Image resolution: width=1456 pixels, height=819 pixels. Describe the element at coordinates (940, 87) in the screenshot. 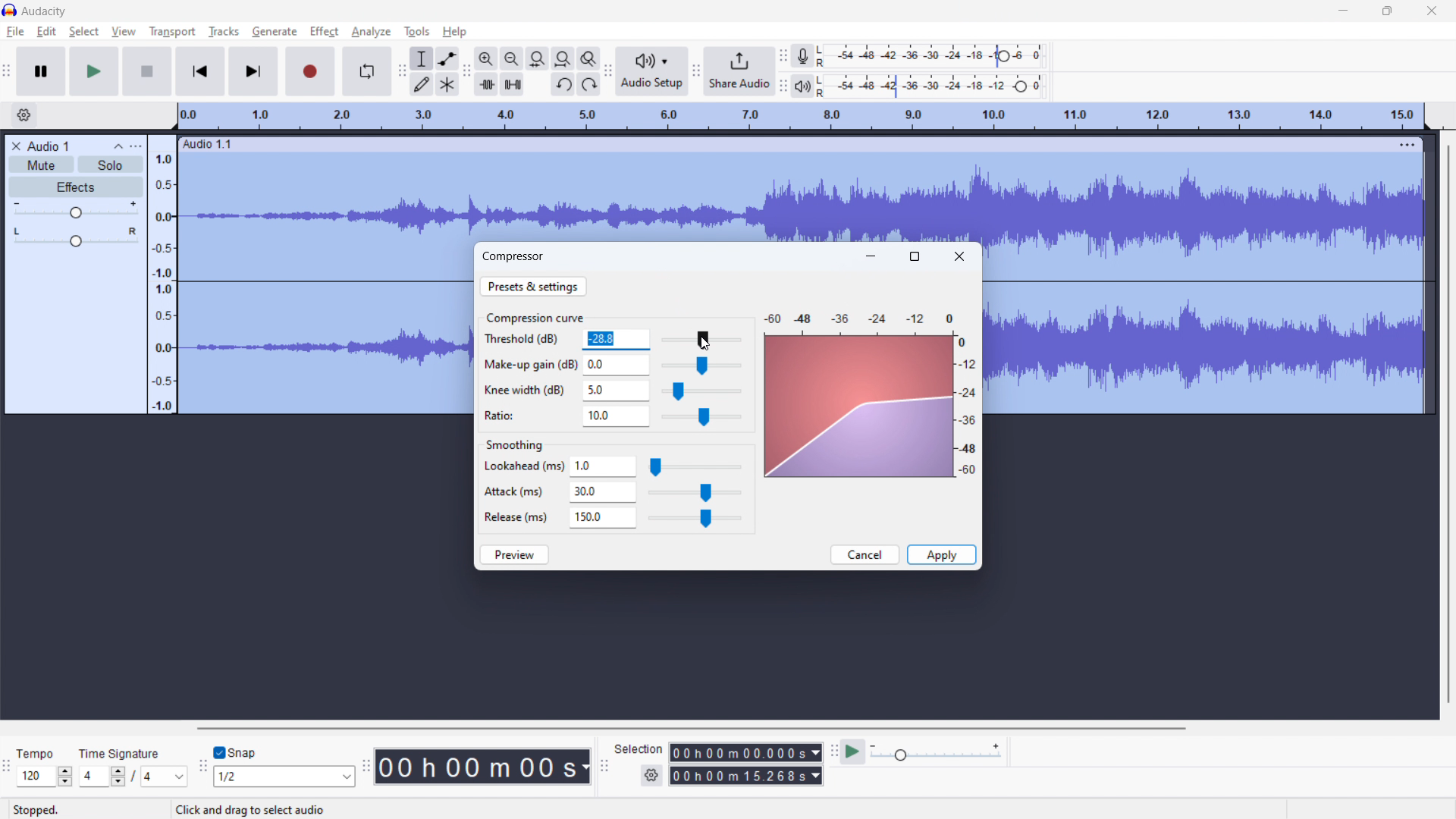

I see `playback level` at that location.